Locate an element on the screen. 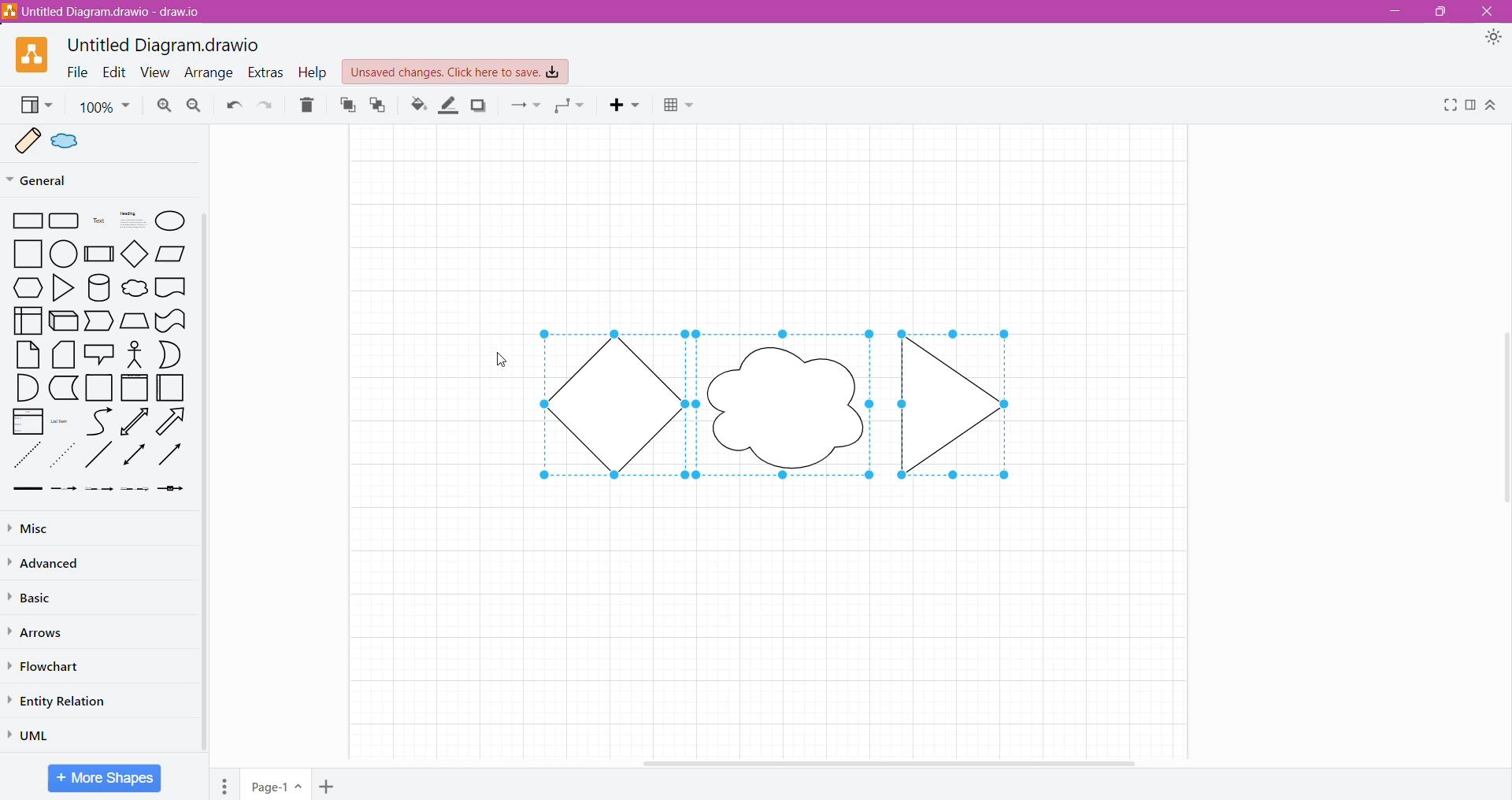  Line Color is located at coordinates (450, 106).